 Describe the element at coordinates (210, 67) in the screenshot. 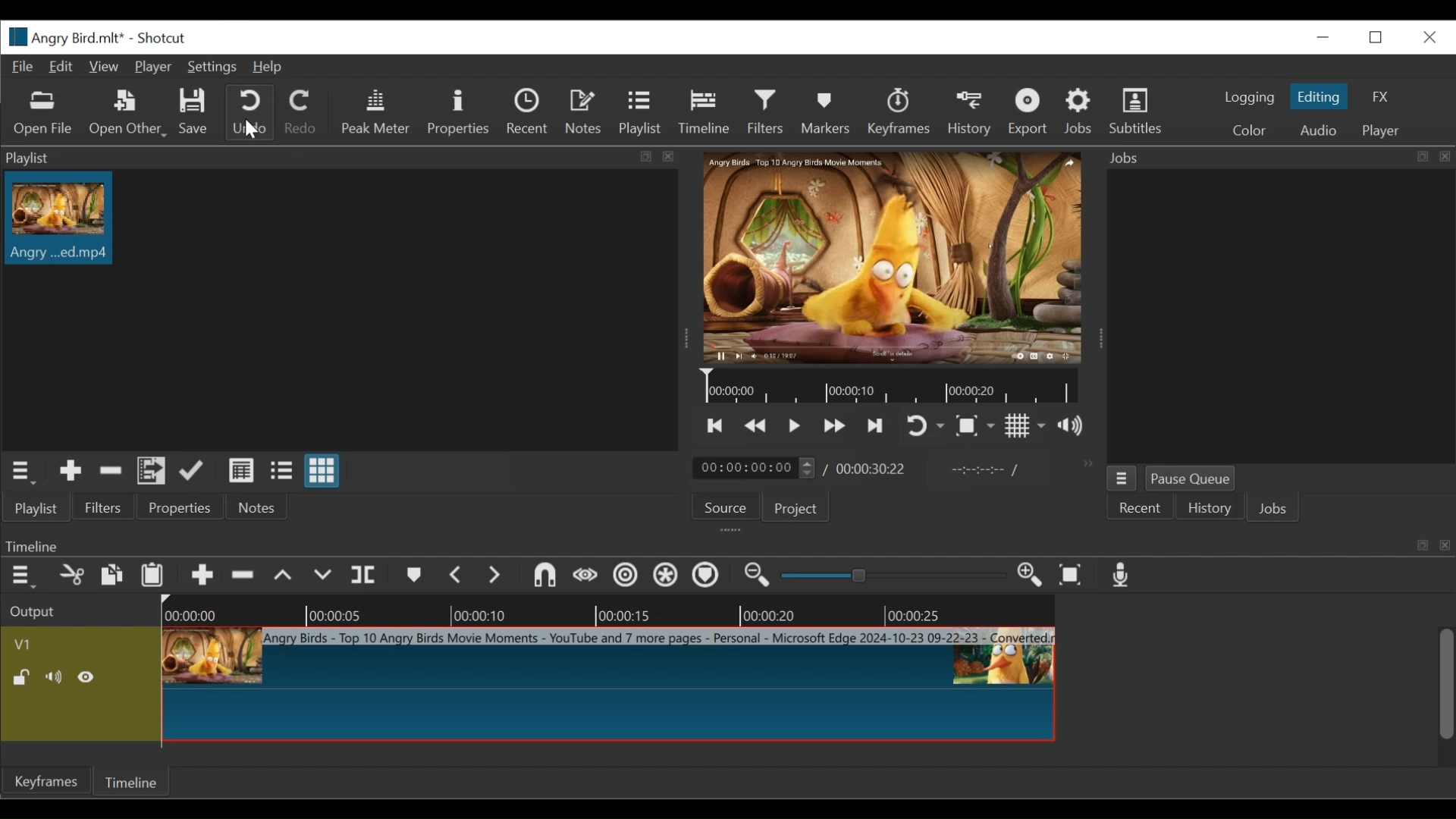

I see `Settings` at that location.